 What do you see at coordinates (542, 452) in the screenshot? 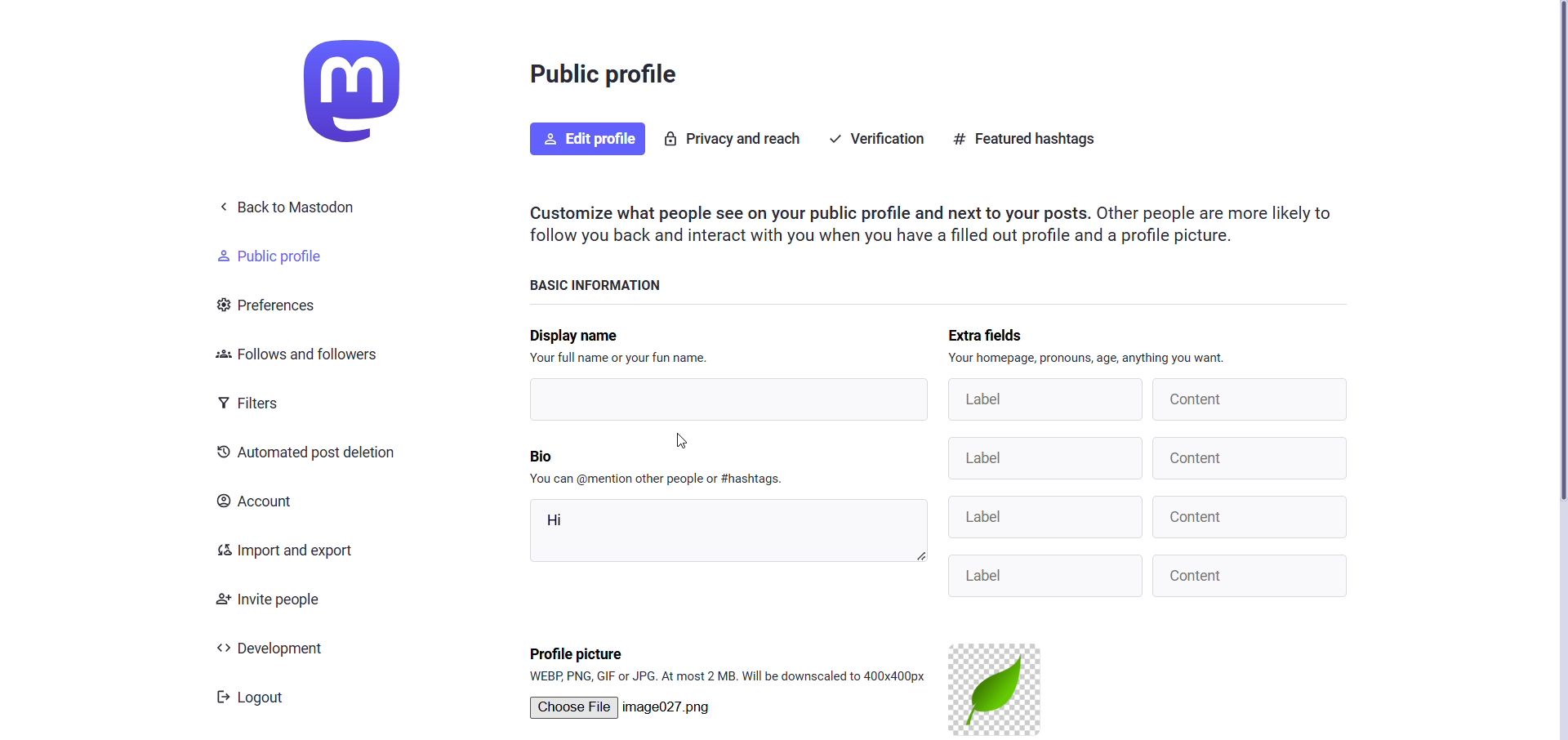
I see `bio` at bounding box center [542, 452].